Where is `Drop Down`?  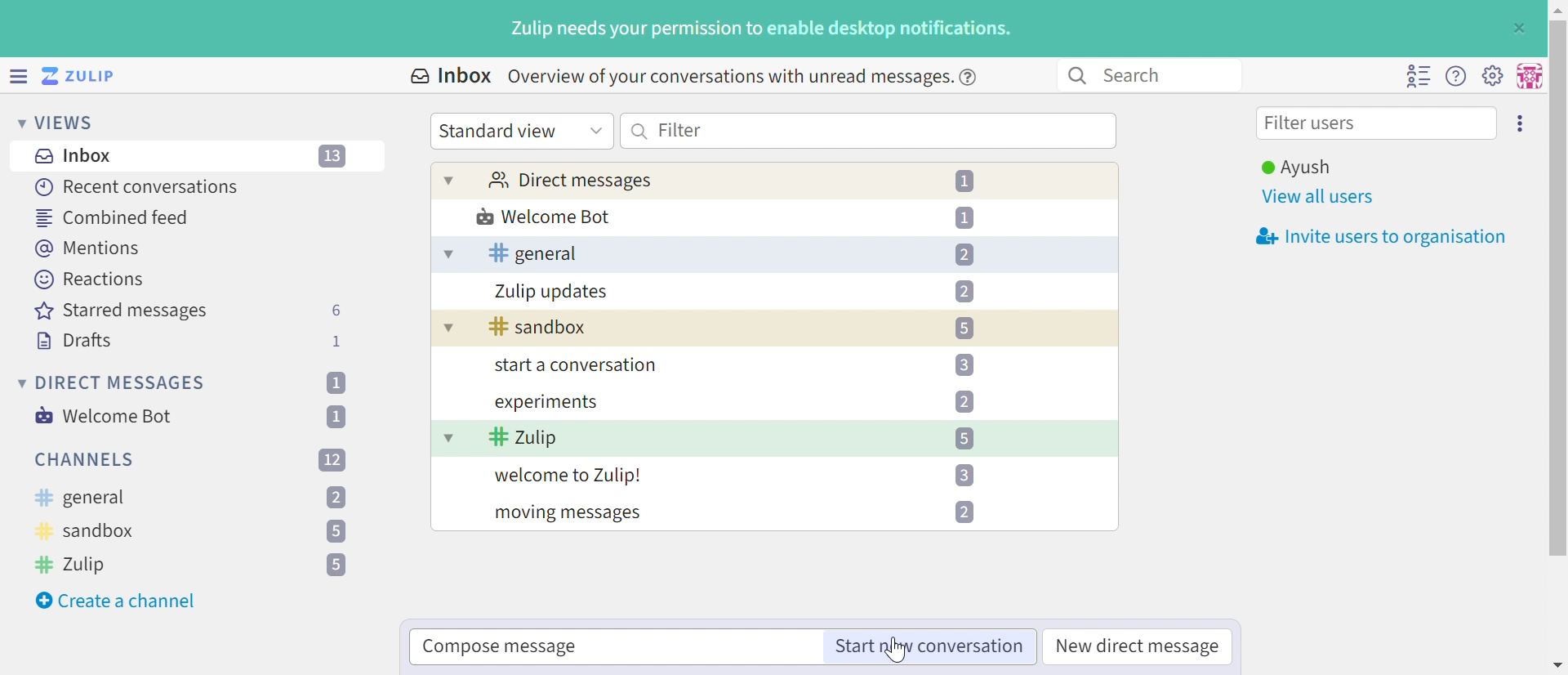
Drop Down is located at coordinates (445, 330).